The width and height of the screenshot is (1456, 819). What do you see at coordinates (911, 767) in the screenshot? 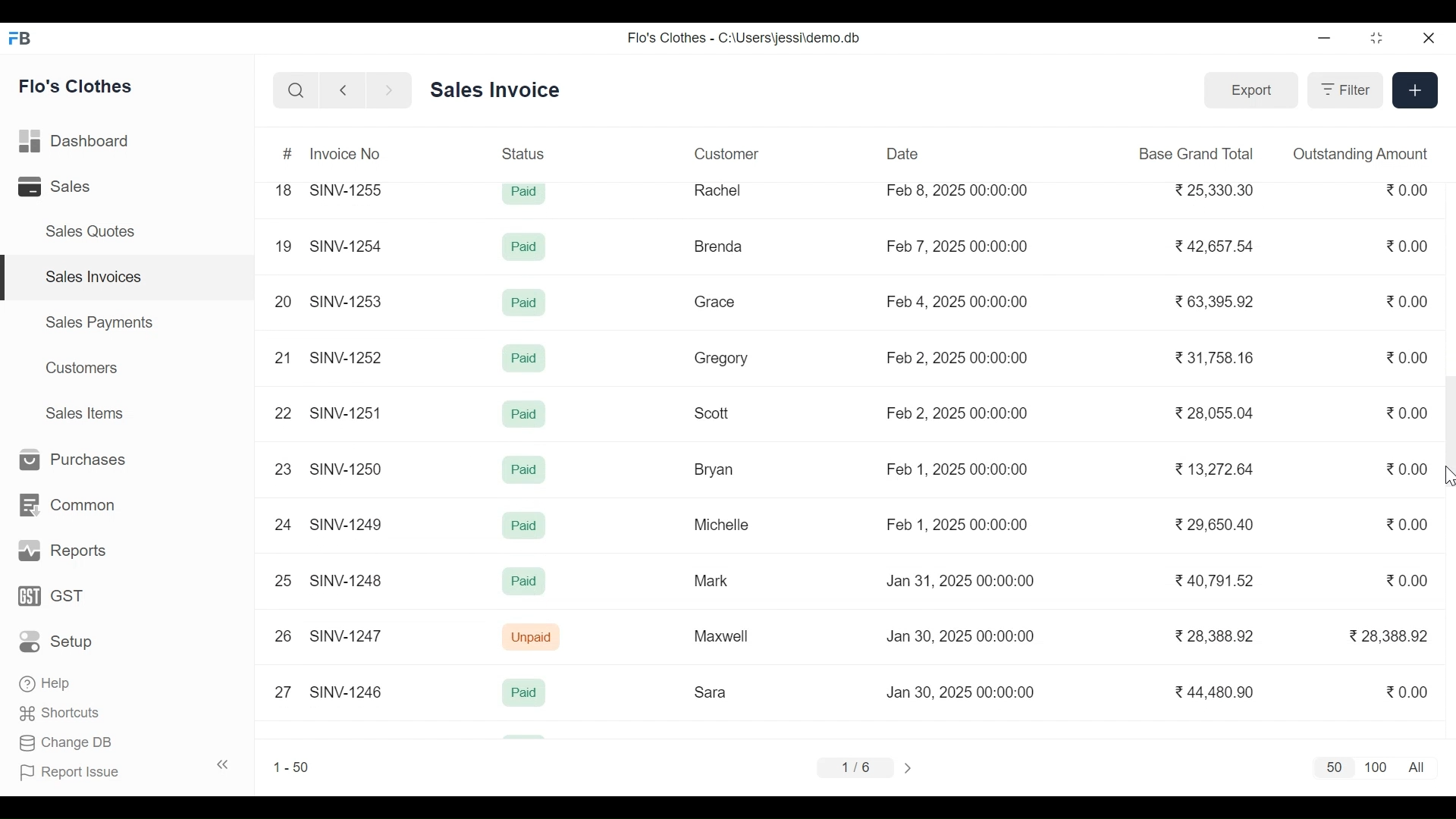
I see `Next` at bounding box center [911, 767].